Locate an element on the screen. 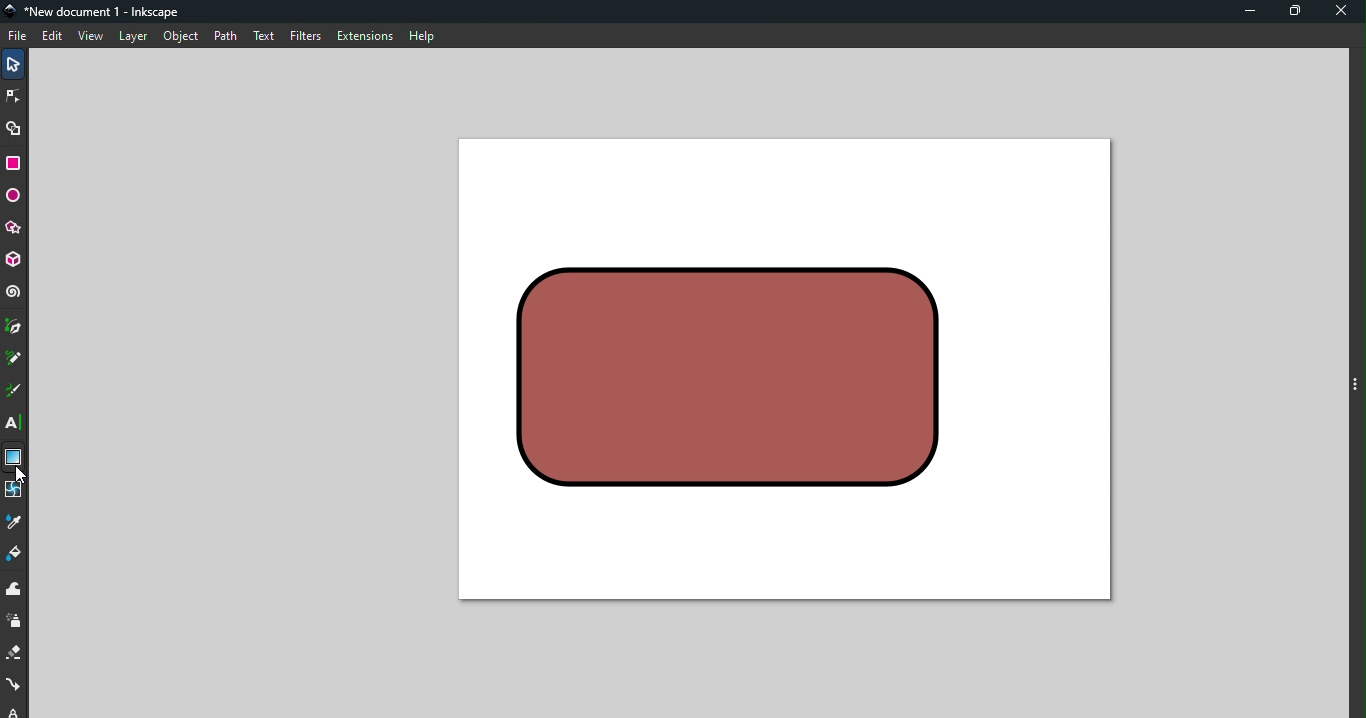 The width and height of the screenshot is (1366, 718). Eraser tool is located at coordinates (15, 654).